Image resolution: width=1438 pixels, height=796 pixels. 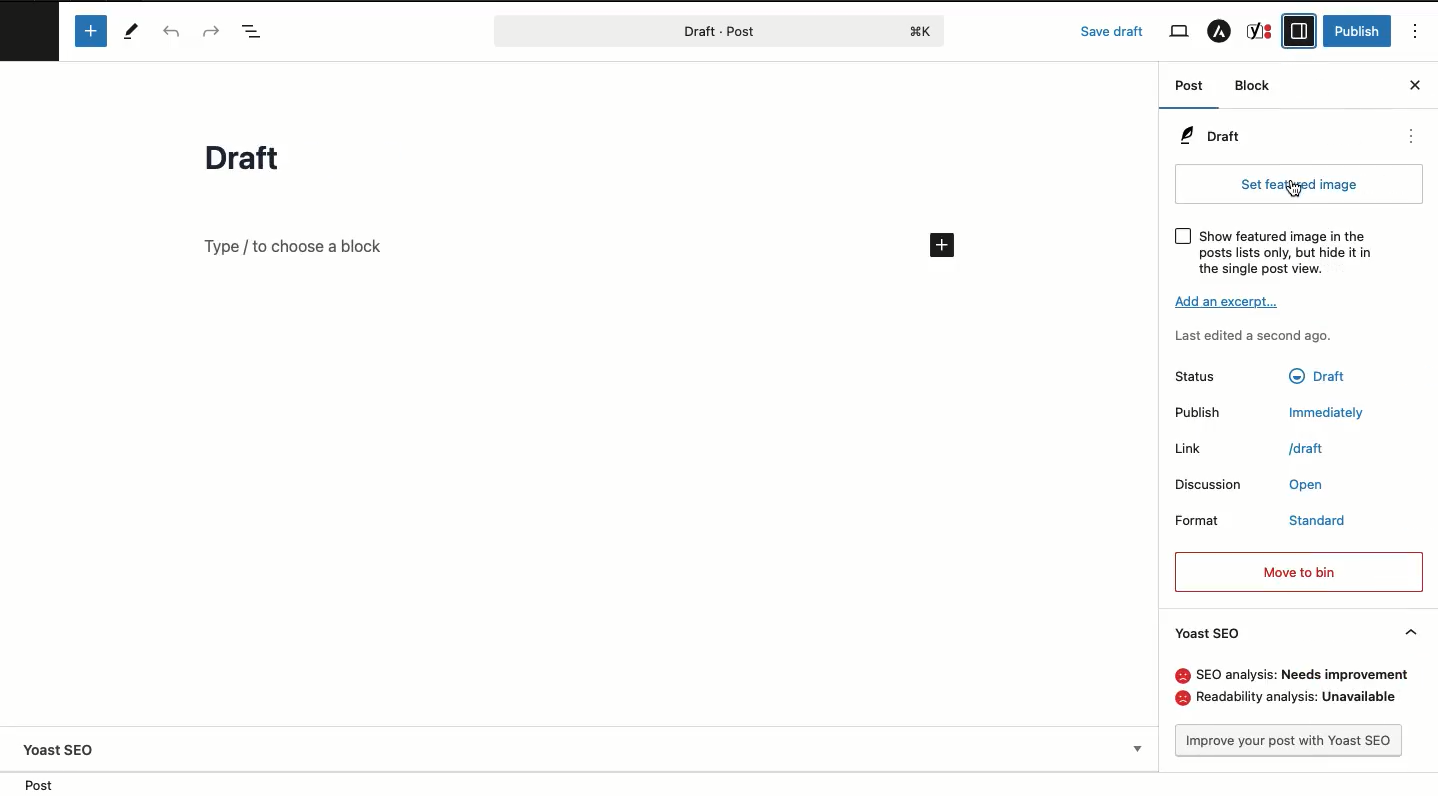 I want to click on Emoji, so click(x=1181, y=698).